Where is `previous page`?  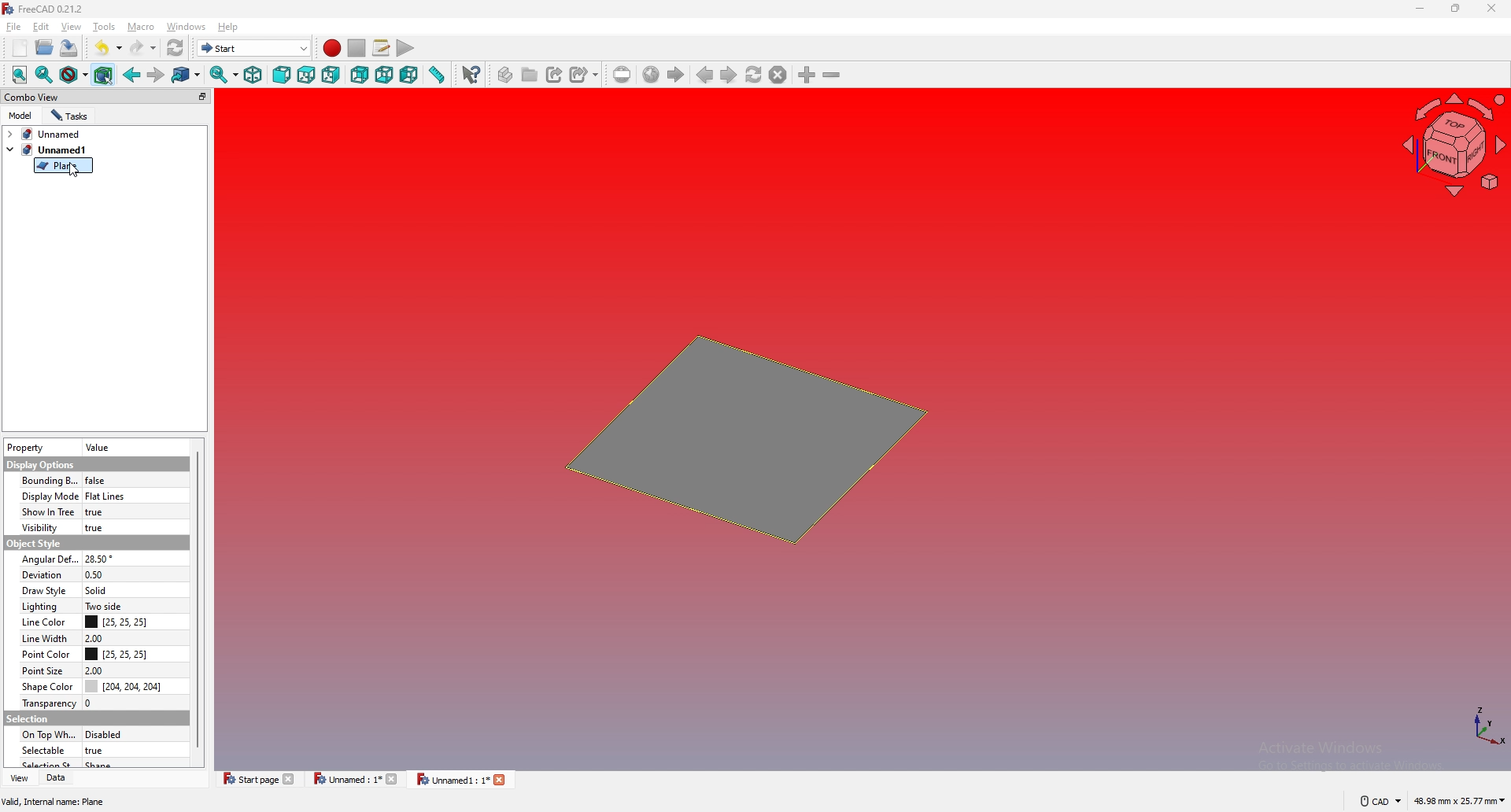 previous page is located at coordinates (706, 75).